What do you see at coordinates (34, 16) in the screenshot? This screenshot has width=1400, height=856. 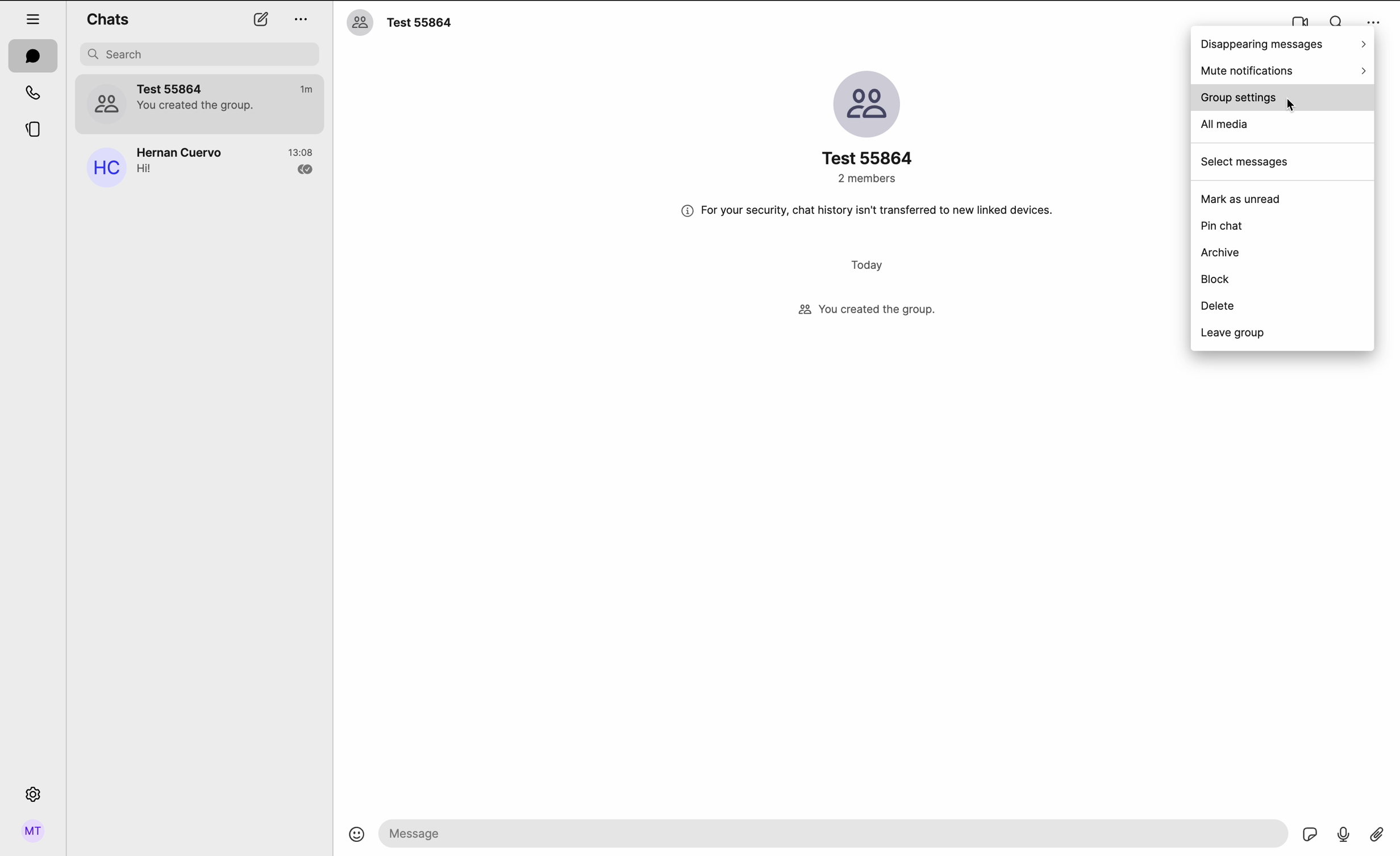 I see `hide tabs` at bounding box center [34, 16].